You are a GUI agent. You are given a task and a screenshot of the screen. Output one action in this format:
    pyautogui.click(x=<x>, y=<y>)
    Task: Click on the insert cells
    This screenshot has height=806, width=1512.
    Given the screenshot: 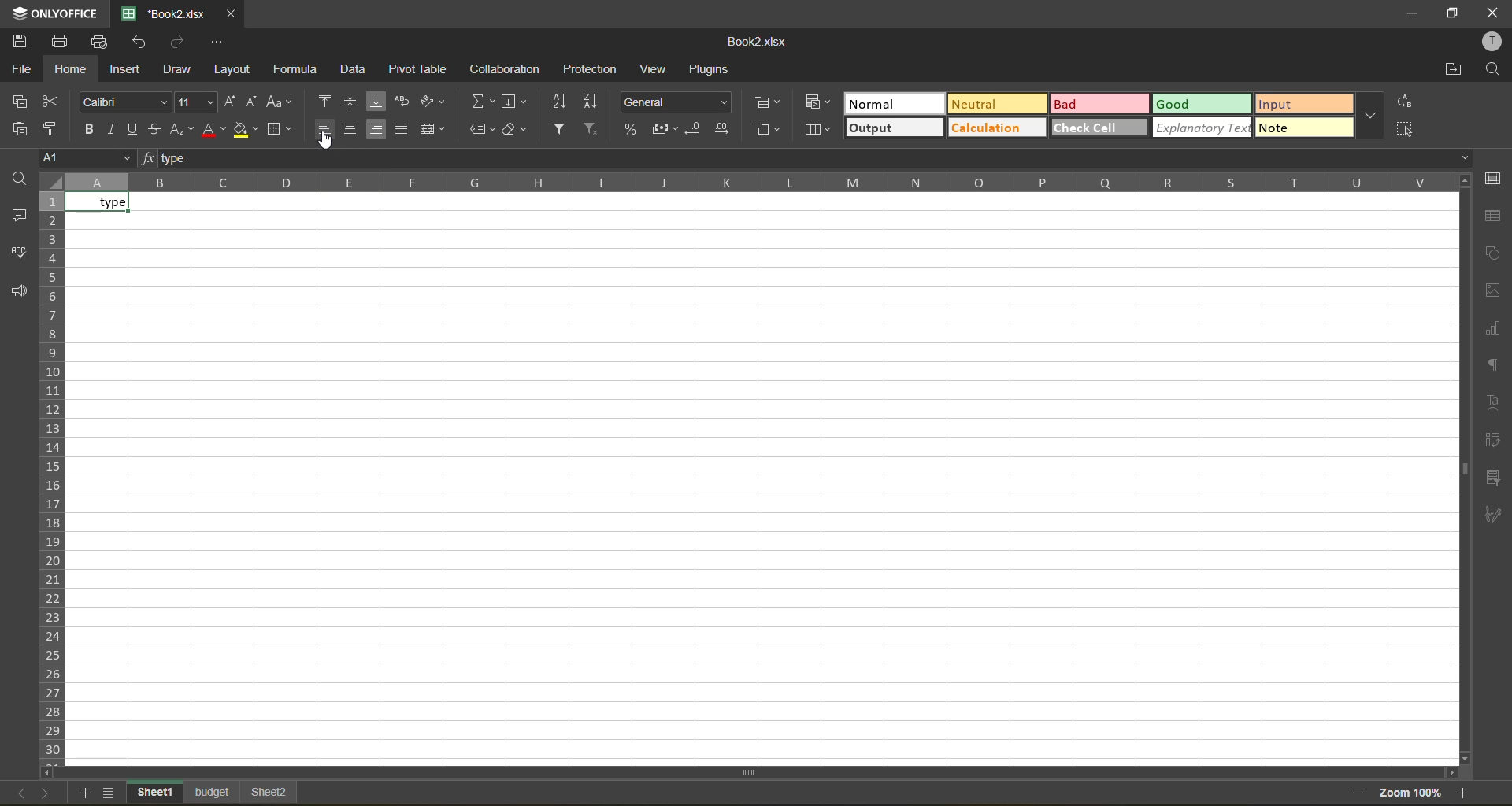 What is the action you would take?
    pyautogui.click(x=767, y=104)
    